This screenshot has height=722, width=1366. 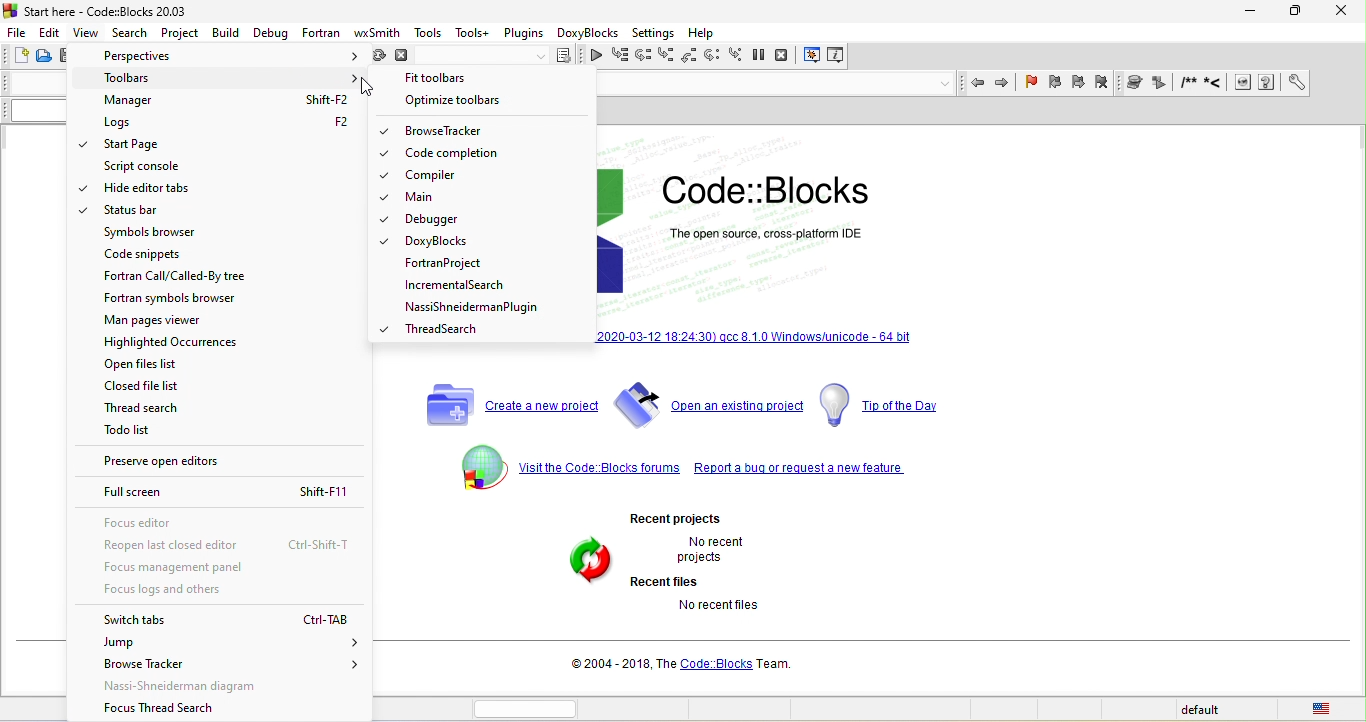 I want to click on open preference, so click(x=1294, y=83).